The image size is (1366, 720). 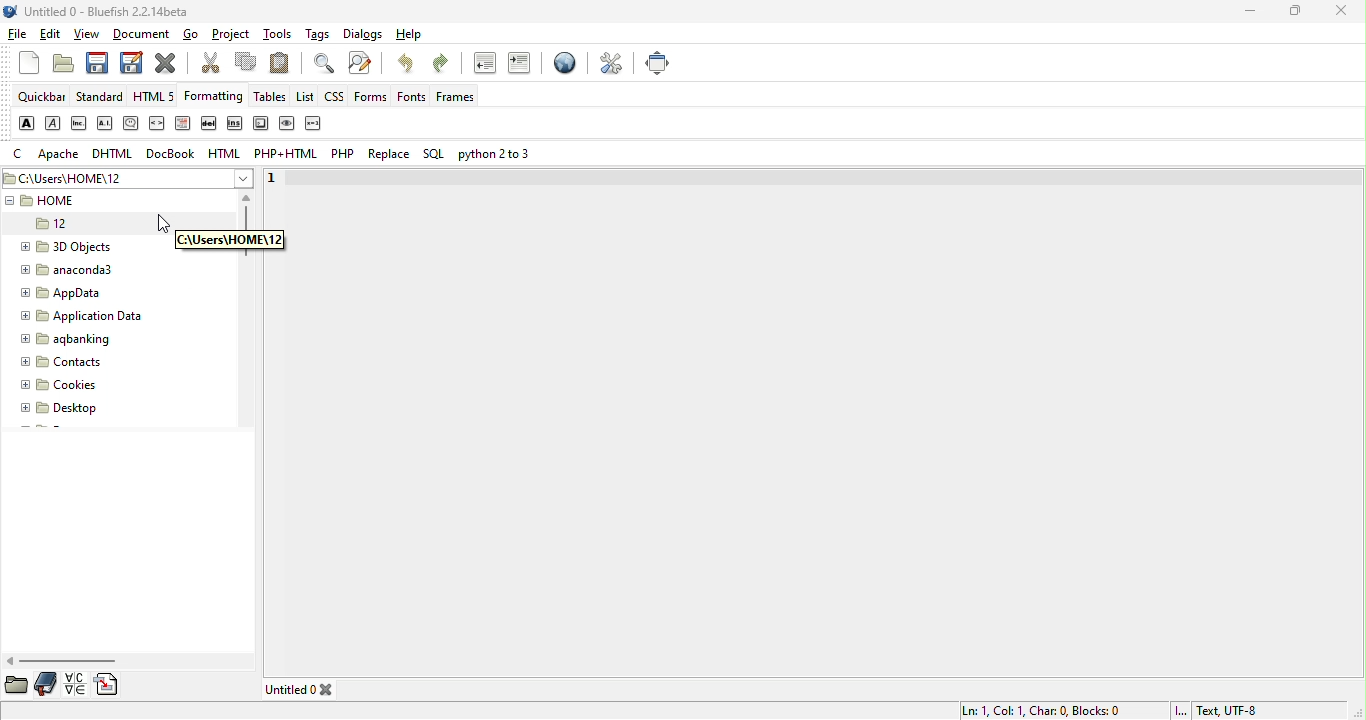 What do you see at coordinates (324, 65) in the screenshot?
I see `show find bar` at bounding box center [324, 65].